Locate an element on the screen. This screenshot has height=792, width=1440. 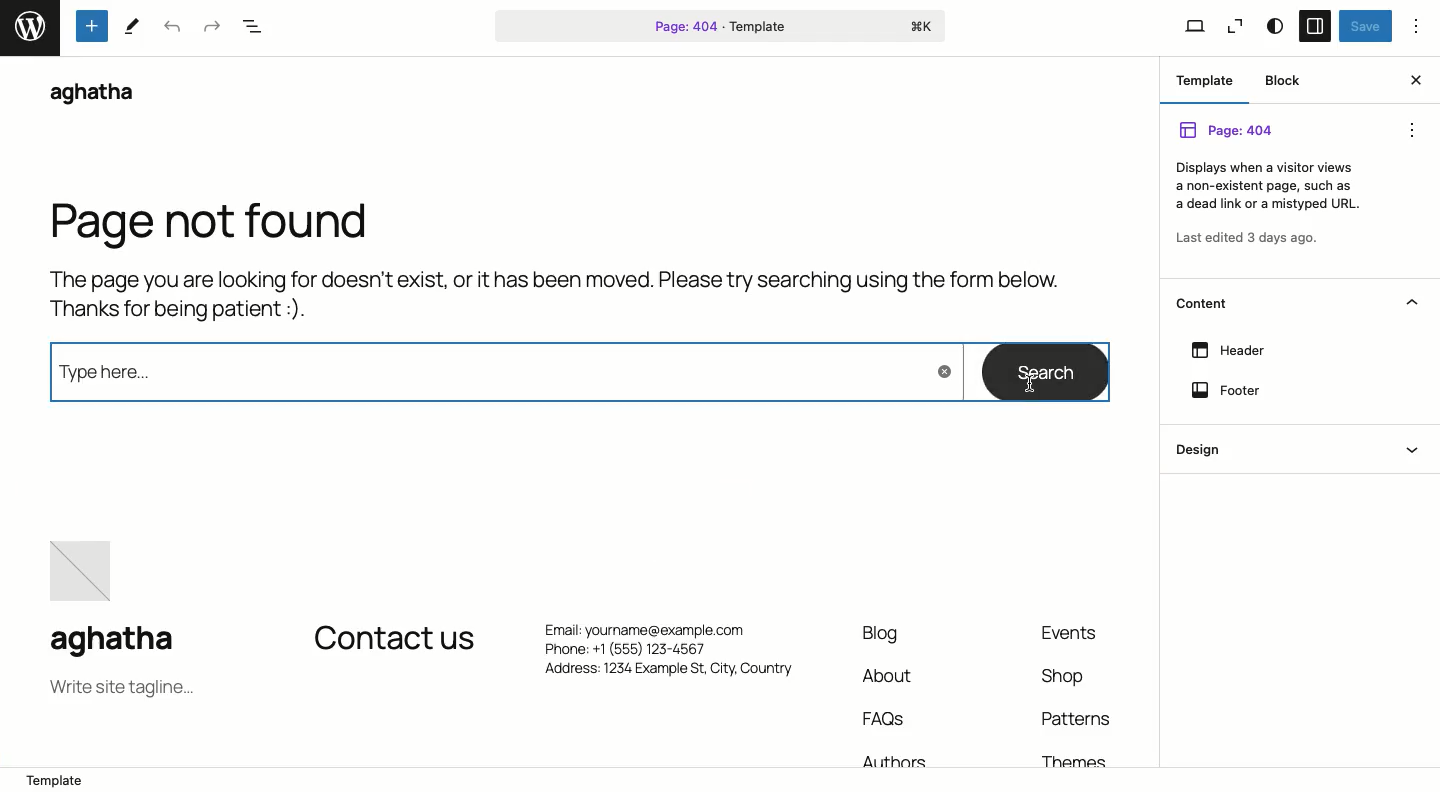
Document overview is located at coordinates (252, 27).